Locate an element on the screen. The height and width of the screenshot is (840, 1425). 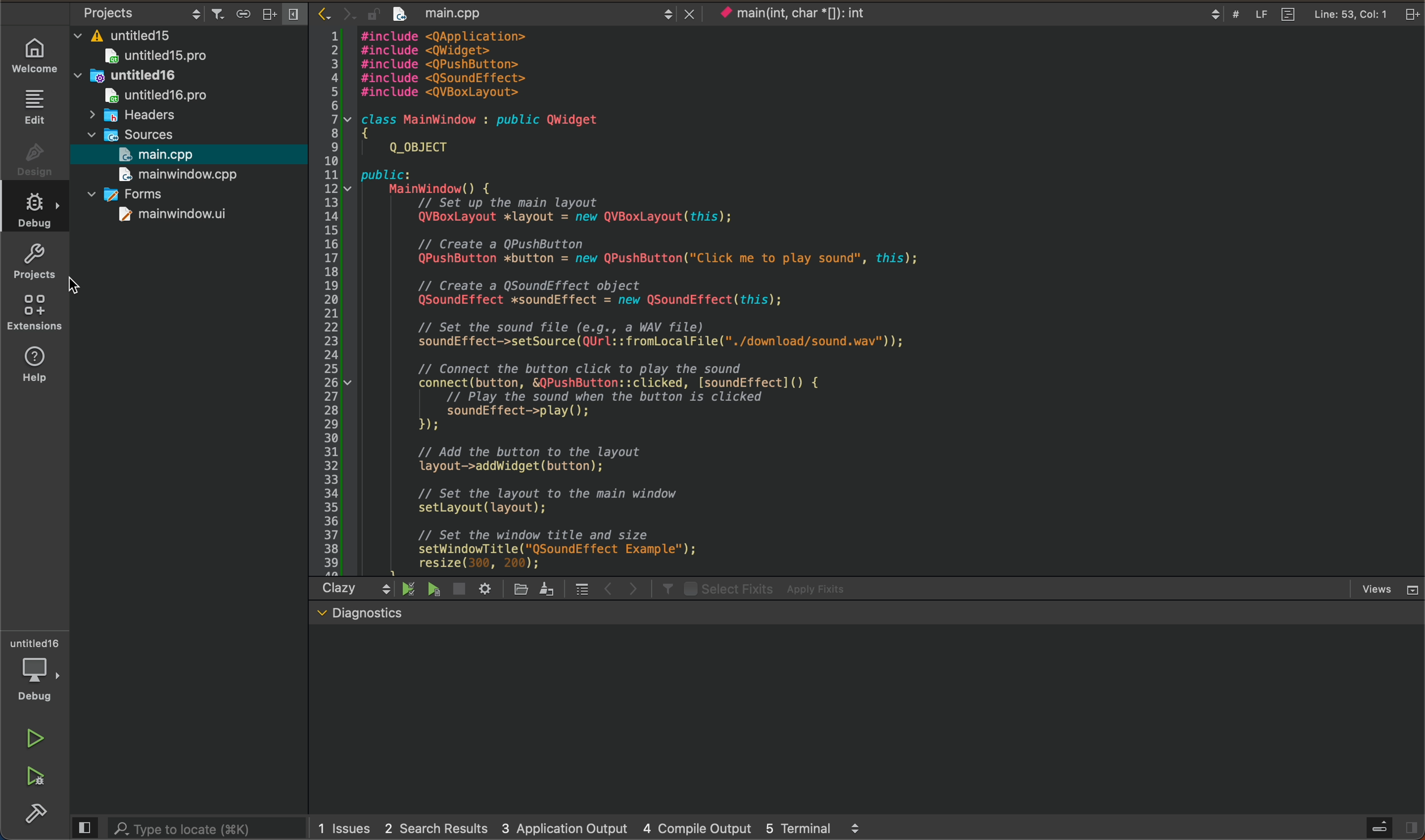
Setting  is located at coordinates (486, 588).